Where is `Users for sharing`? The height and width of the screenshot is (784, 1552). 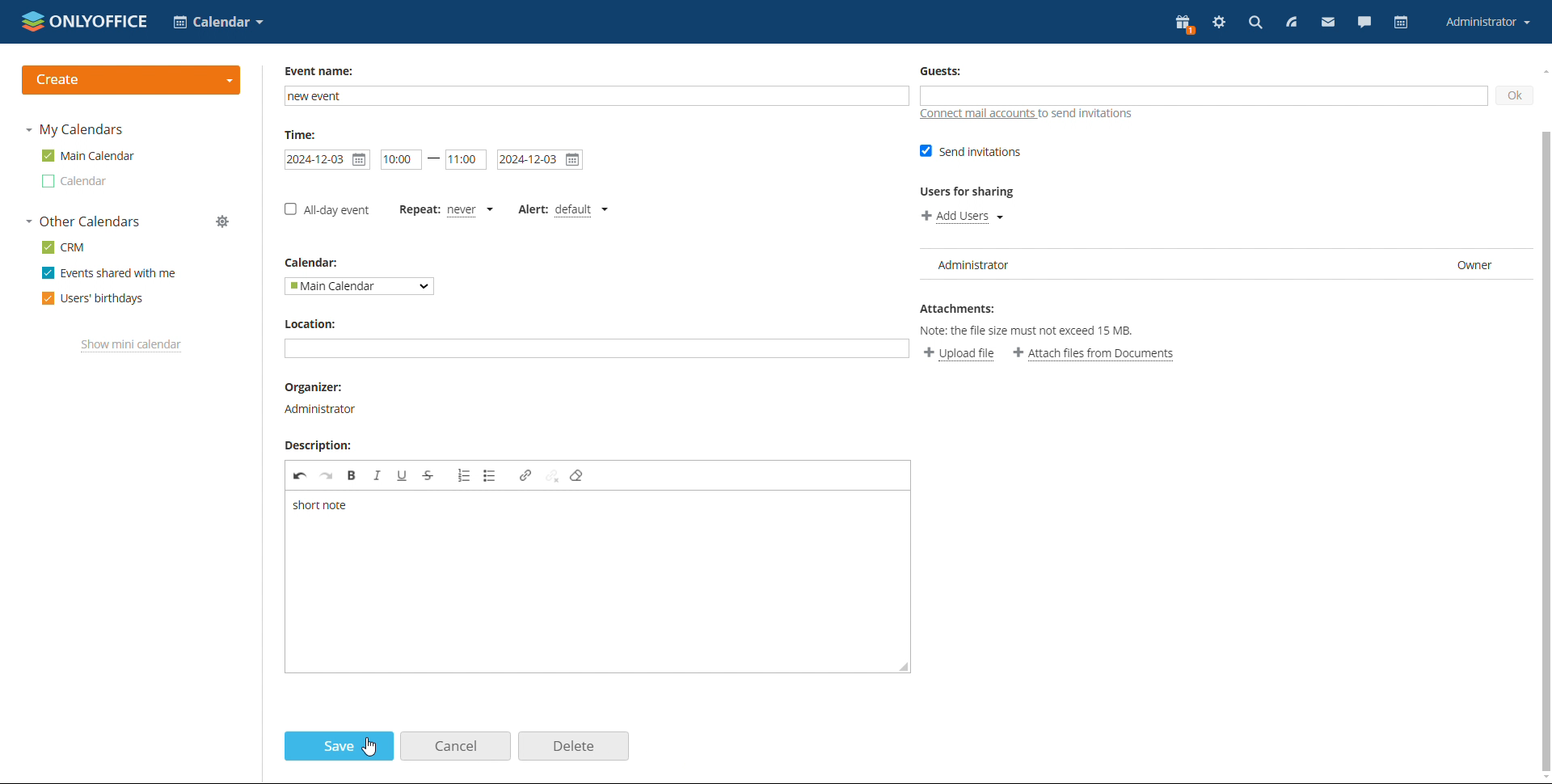
Users for sharing is located at coordinates (976, 192).